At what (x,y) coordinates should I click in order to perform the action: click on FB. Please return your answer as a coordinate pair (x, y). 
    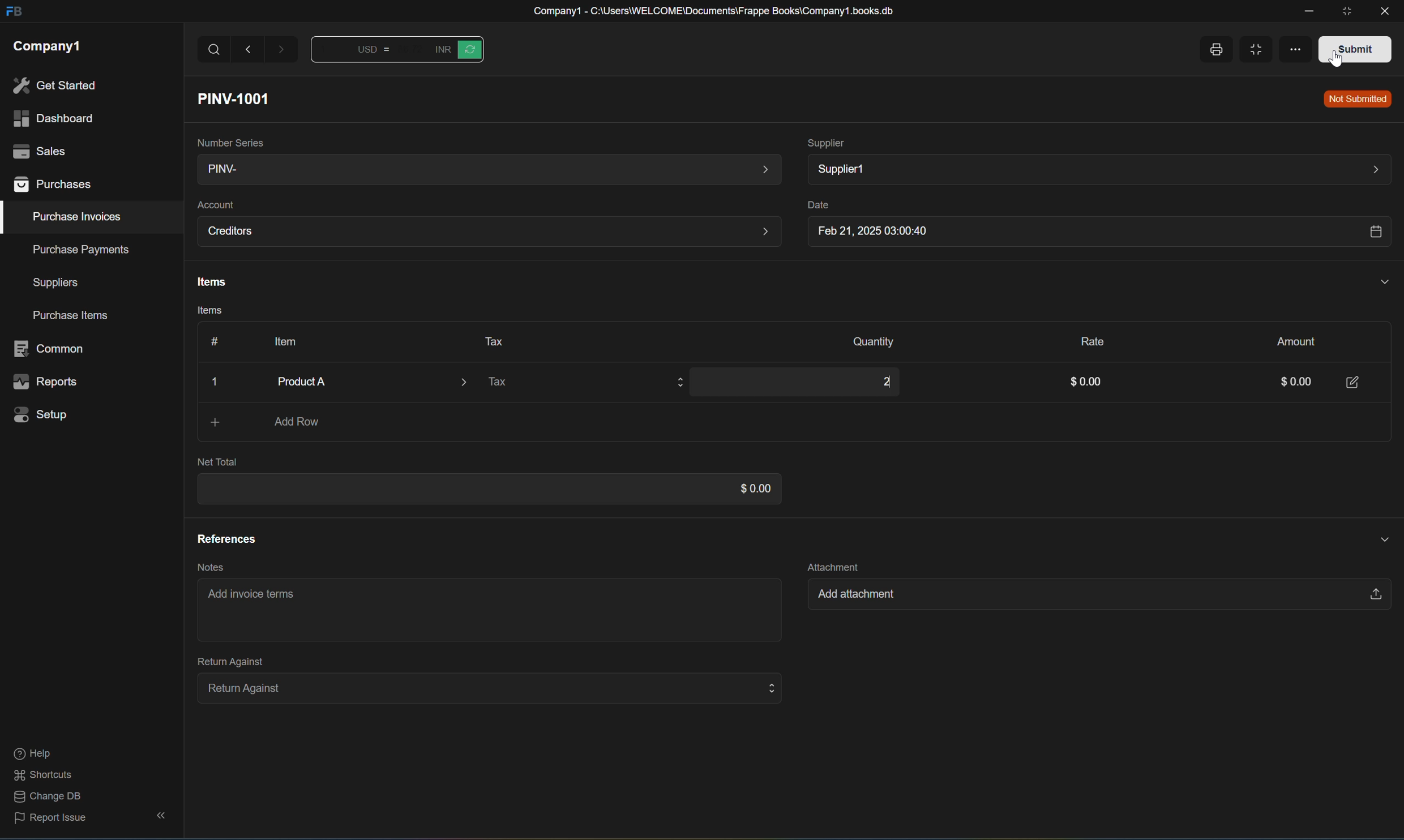
    Looking at the image, I should click on (13, 12).